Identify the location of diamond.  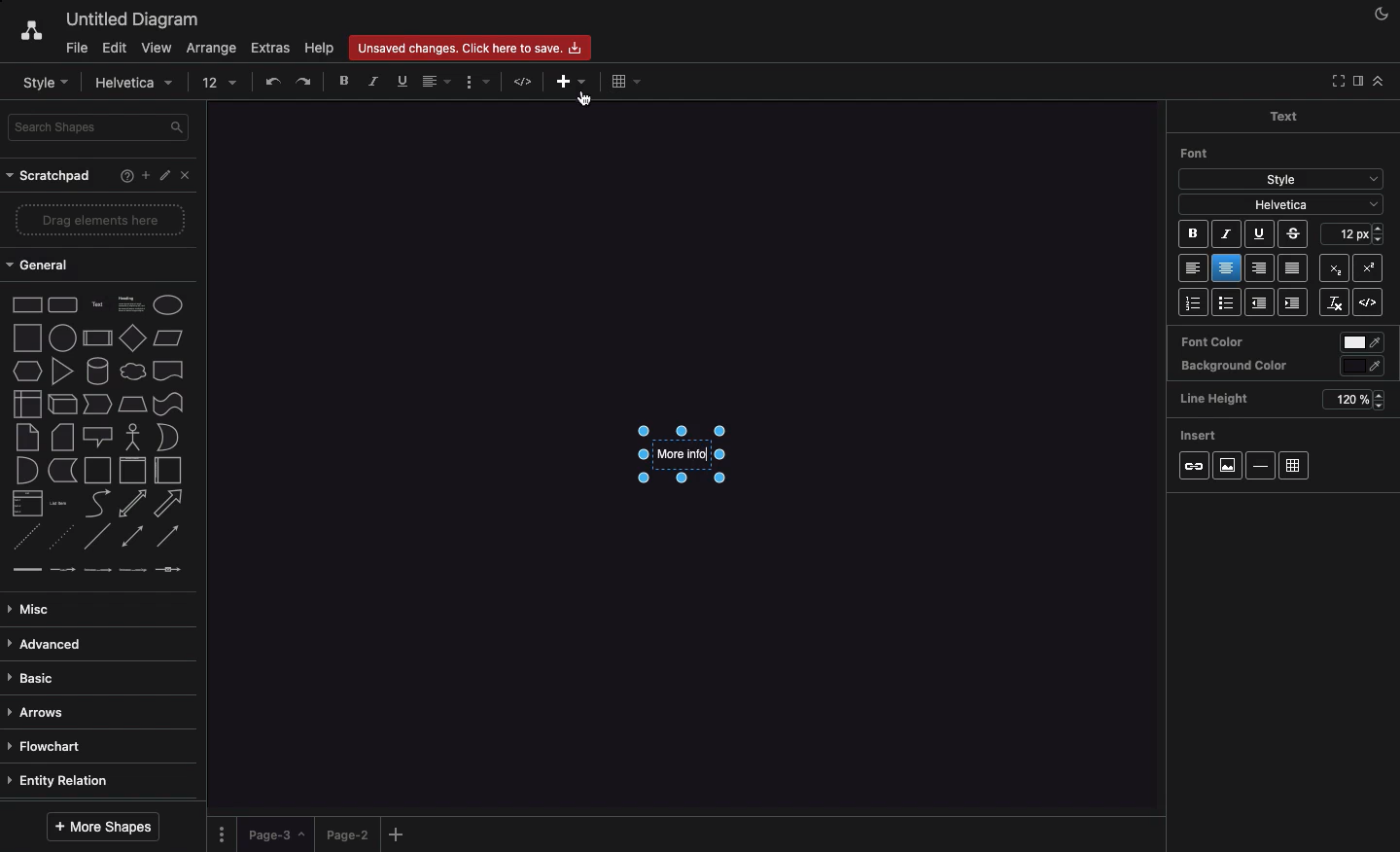
(133, 337).